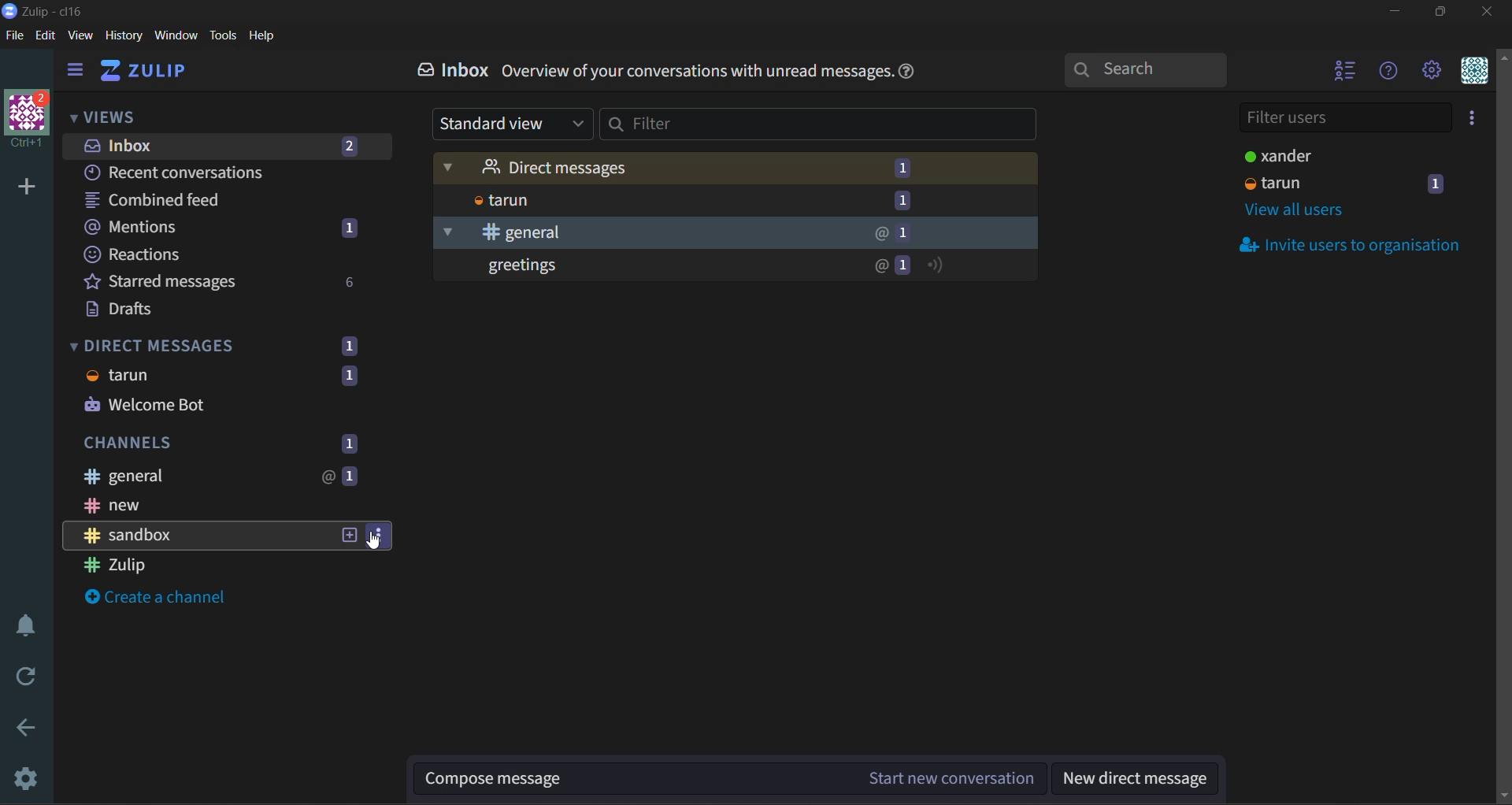 The image size is (1512, 805). I want to click on options, so click(377, 532).